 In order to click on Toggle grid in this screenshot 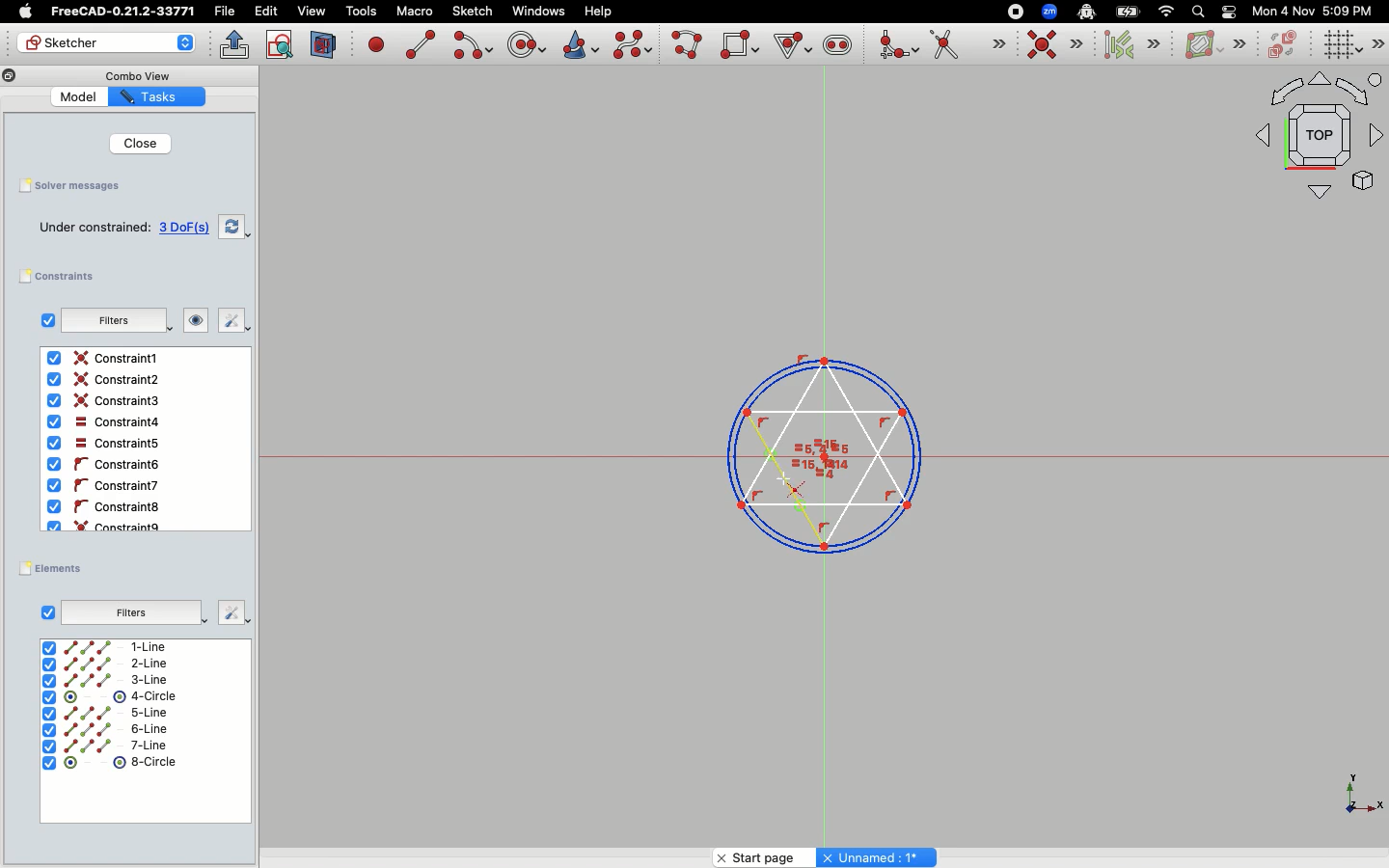, I will do `click(1340, 45)`.